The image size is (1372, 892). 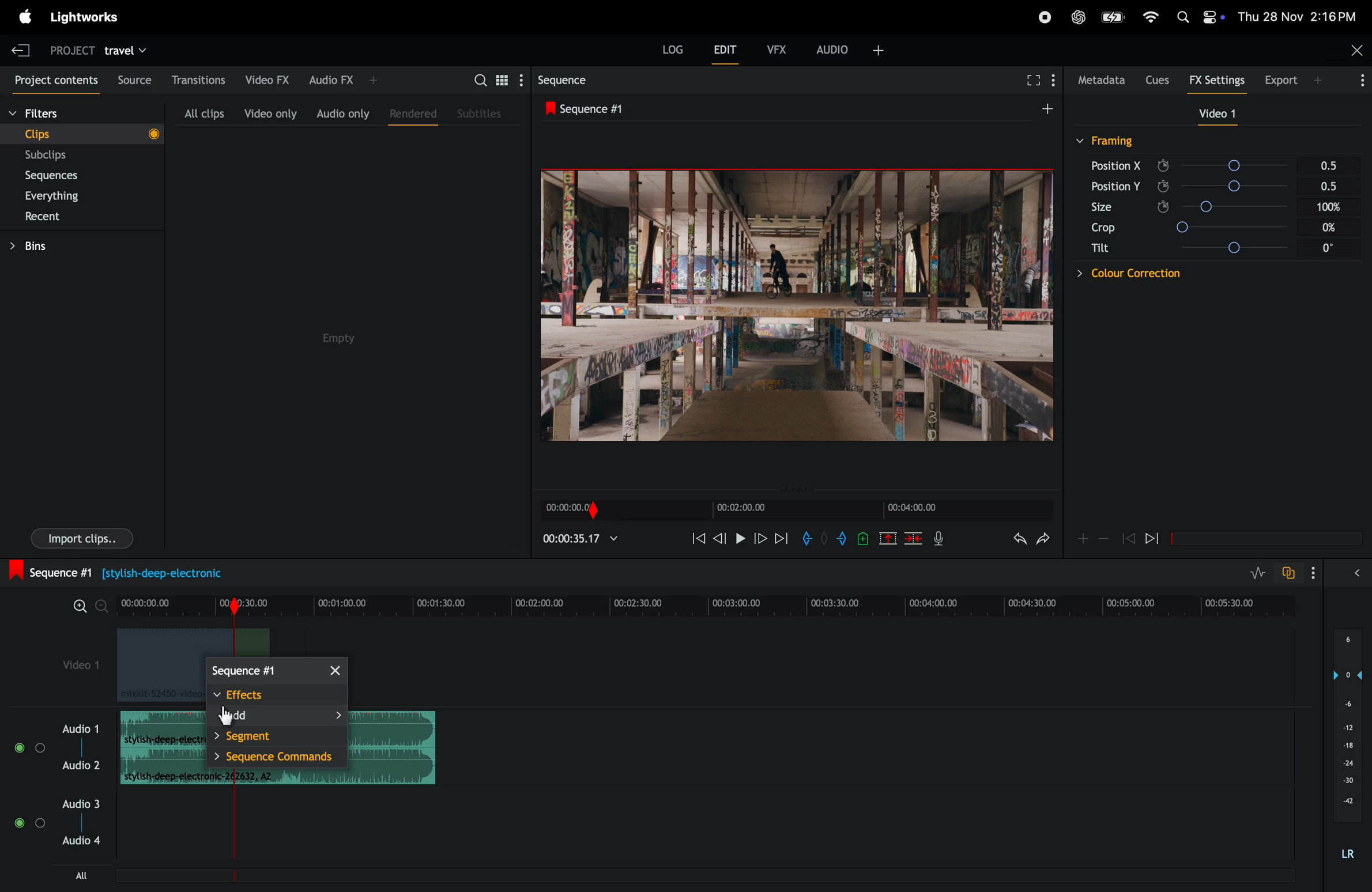 I want to click on light works, so click(x=91, y=16).